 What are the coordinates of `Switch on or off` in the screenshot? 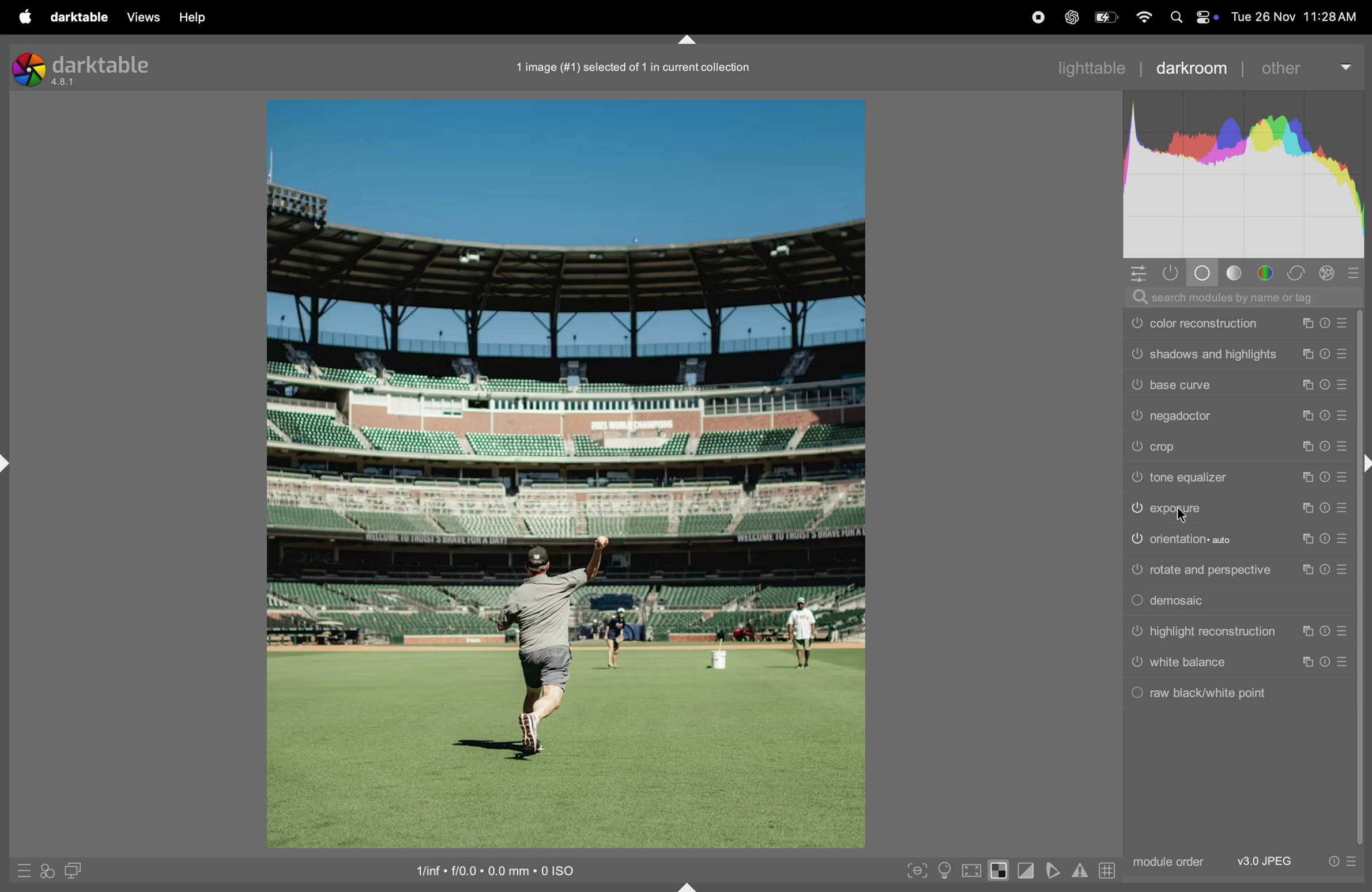 It's located at (1136, 602).